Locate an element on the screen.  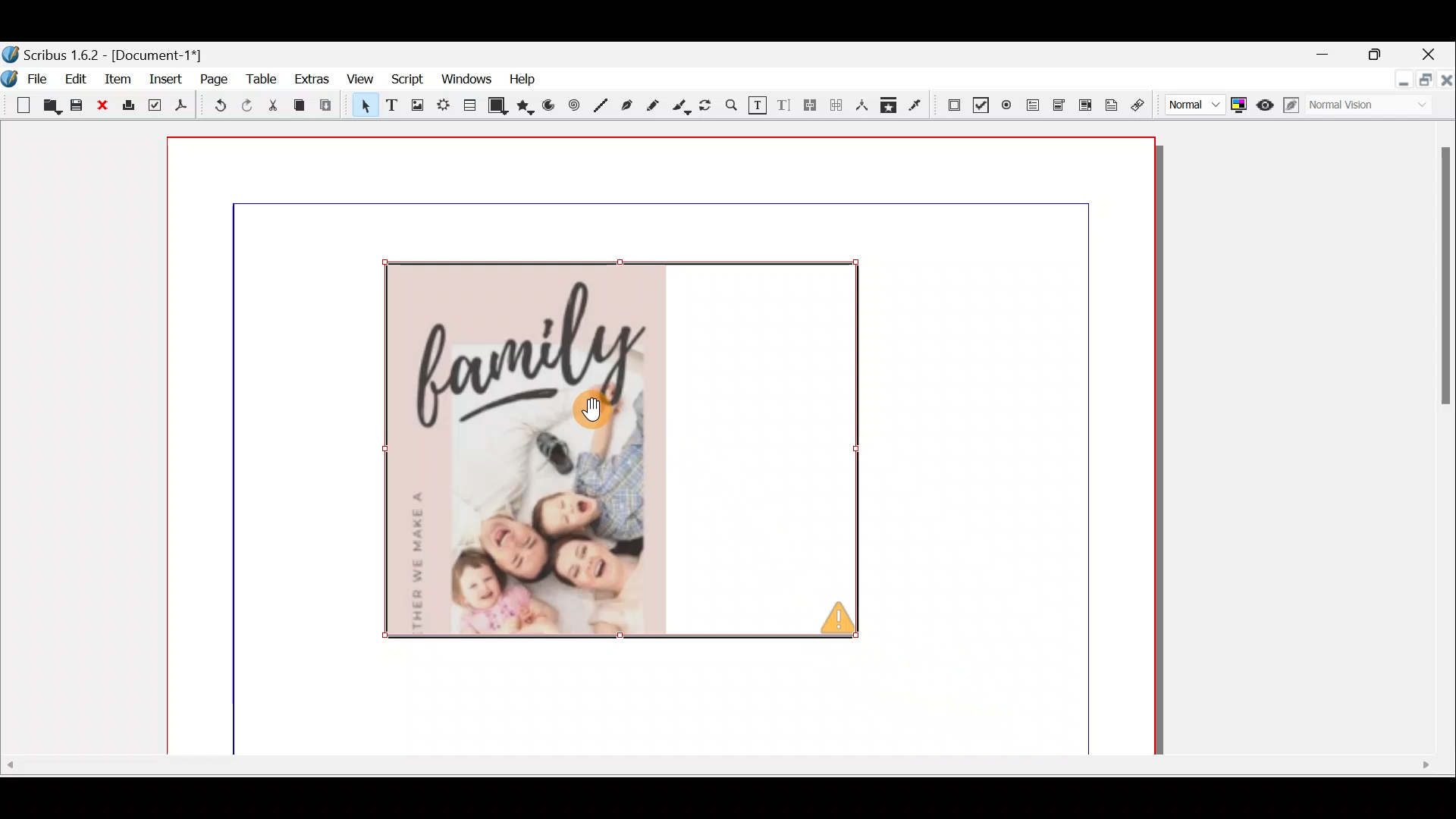
Table is located at coordinates (472, 109).